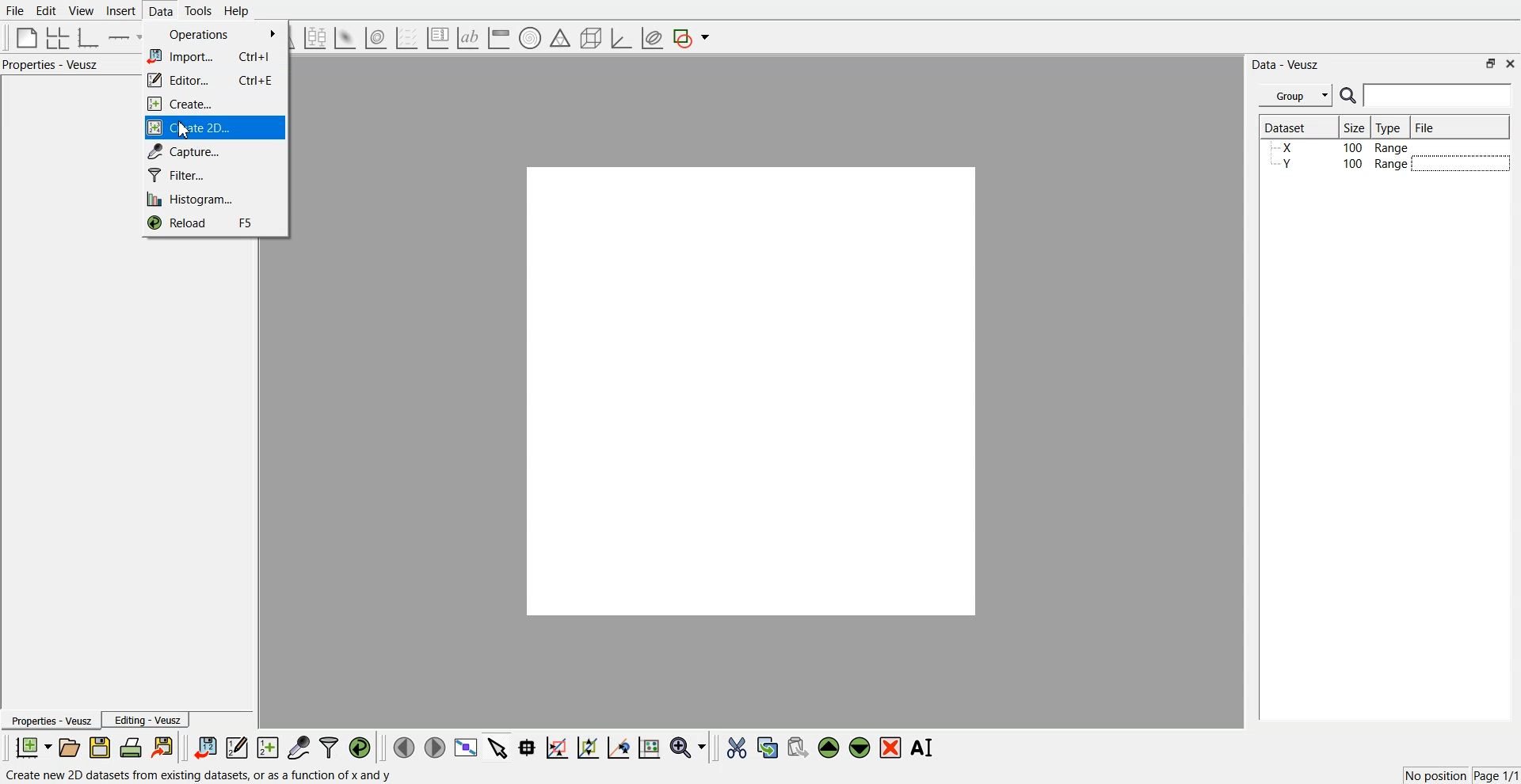 This screenshot has height=784, width=1521. I want to click on Reload linked dataset, so click(360, 748).